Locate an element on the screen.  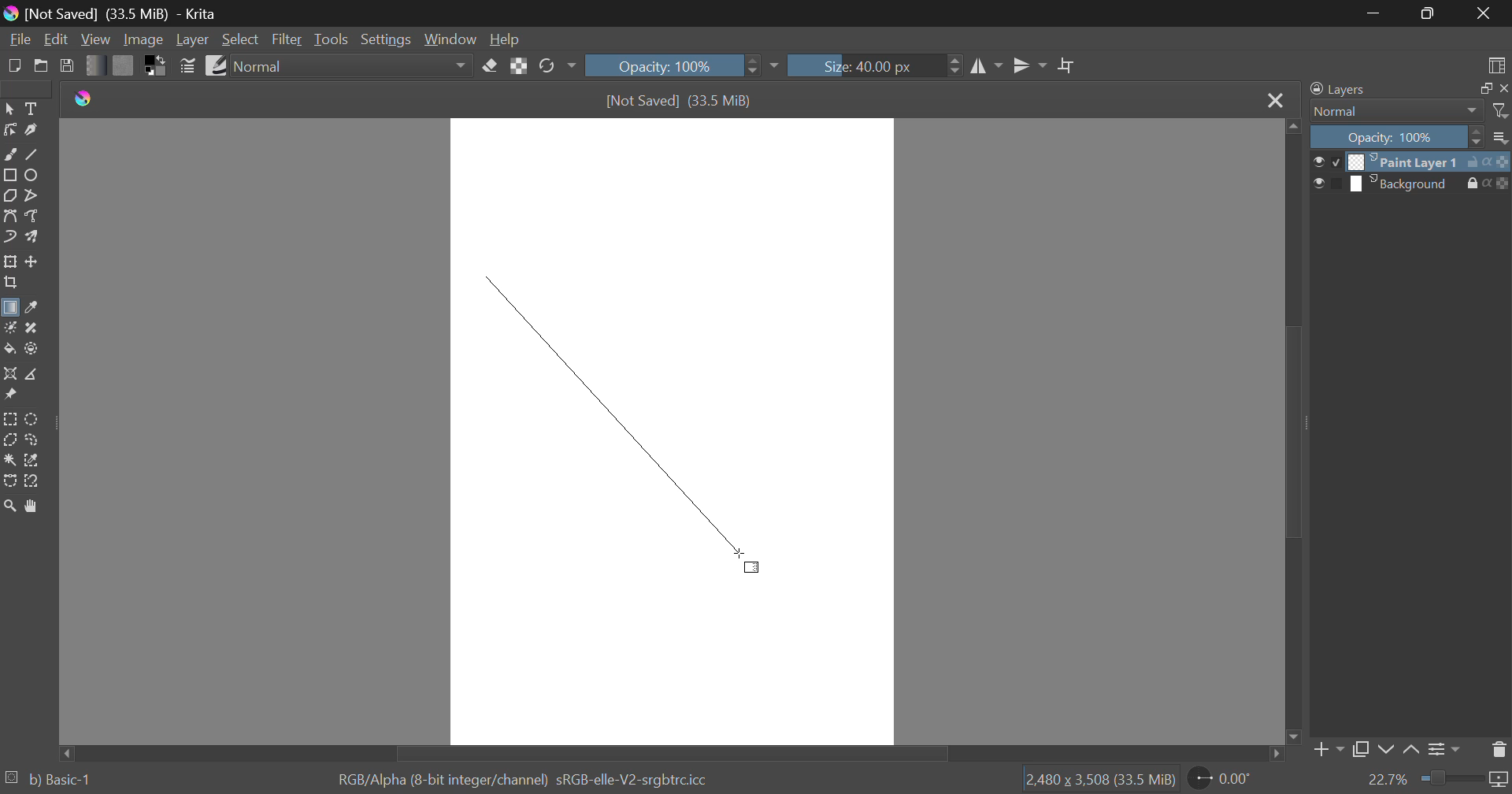
unlock is located at coordinates (1476, 161).